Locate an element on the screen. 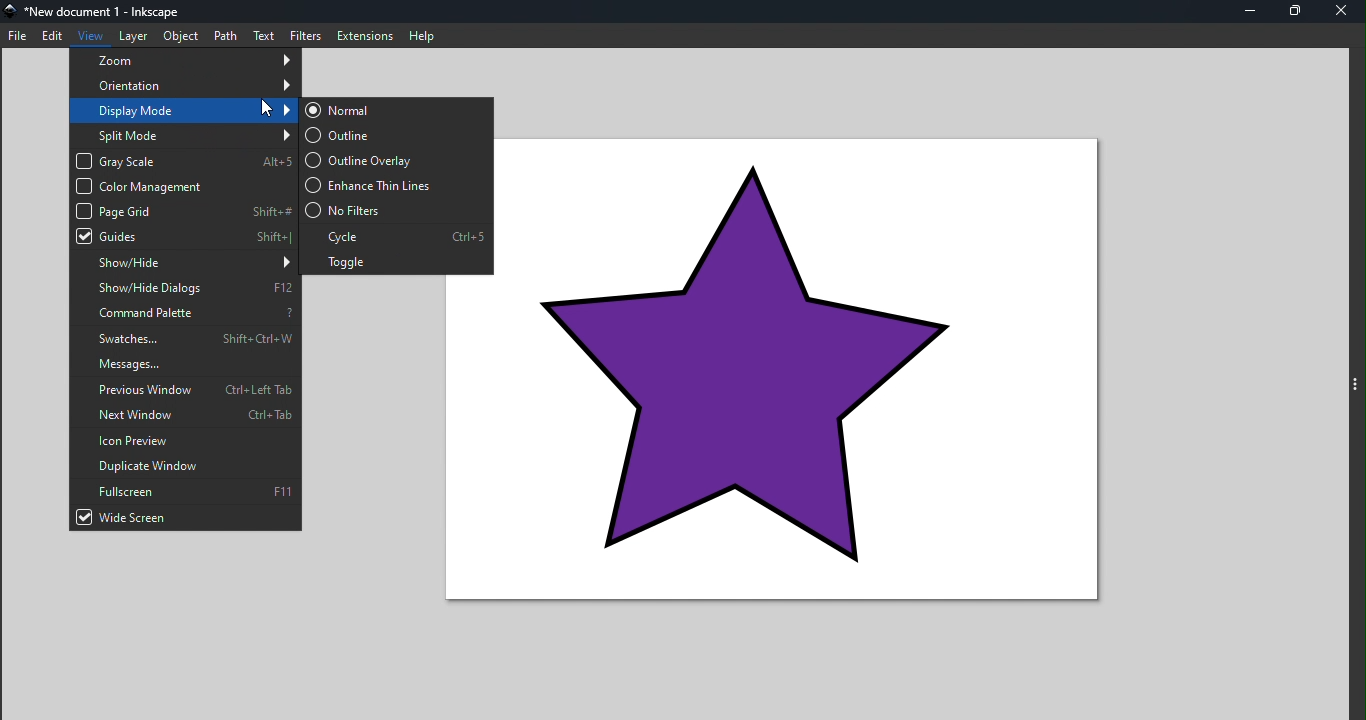 The image size is (1366, 720). No filters is located at coordinates (395, 208).